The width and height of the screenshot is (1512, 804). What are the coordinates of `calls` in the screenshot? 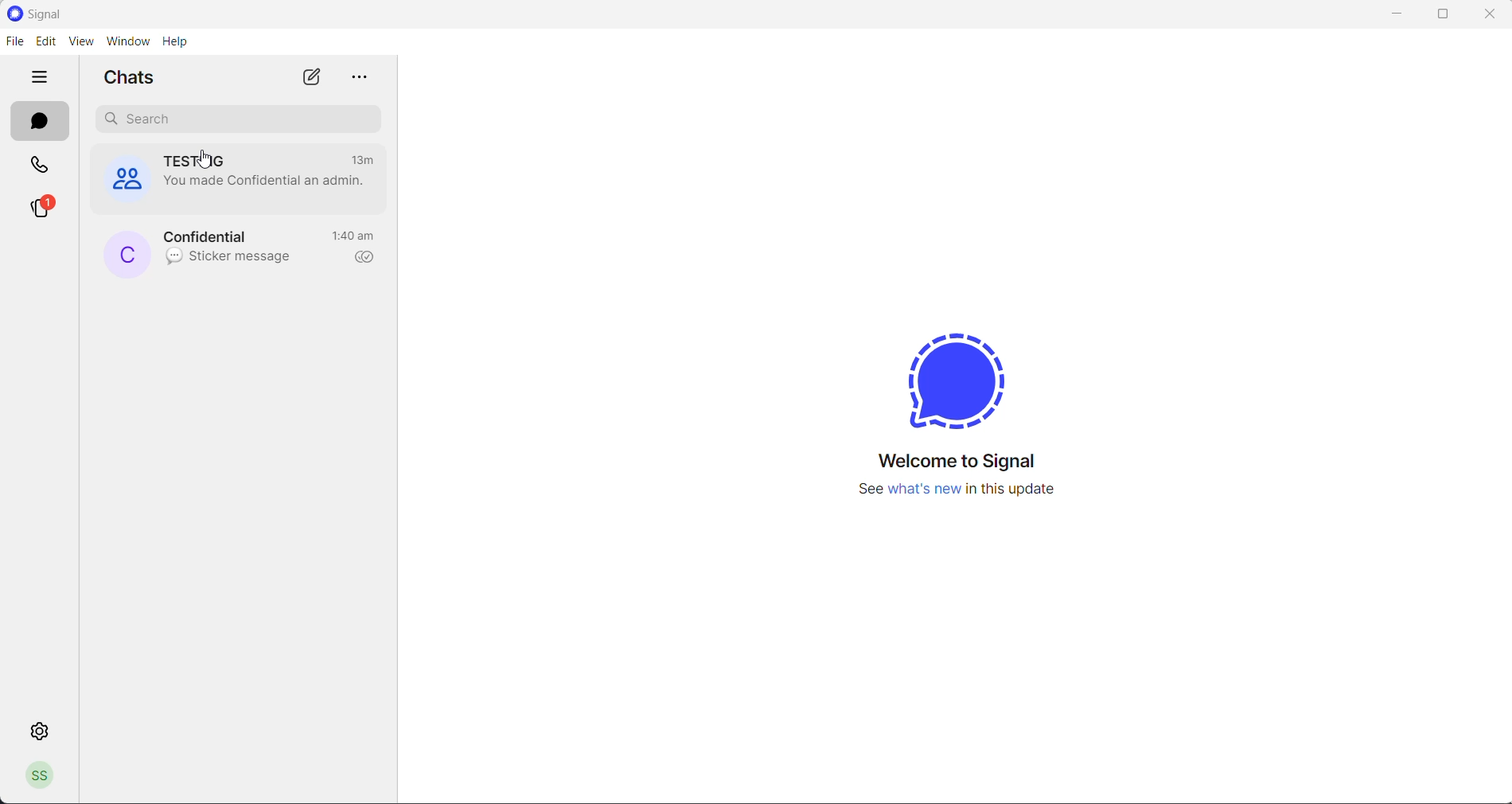 It's located at (41, 168).